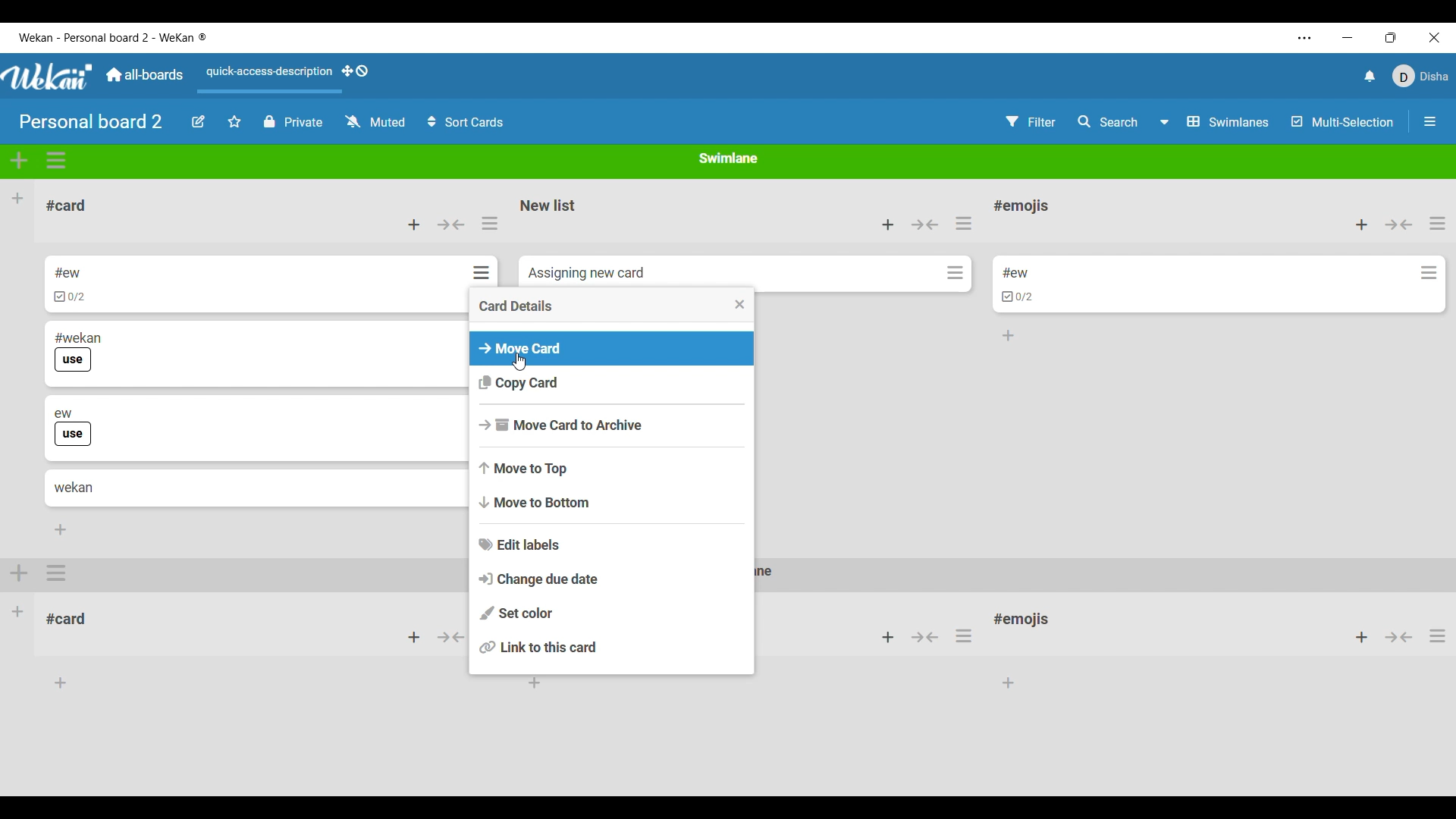 The image size is (1456, 819). What do you see at coordinates (612, 501) in the screenshot?
I see `Move to bottom` at bounding box center [612, 501].